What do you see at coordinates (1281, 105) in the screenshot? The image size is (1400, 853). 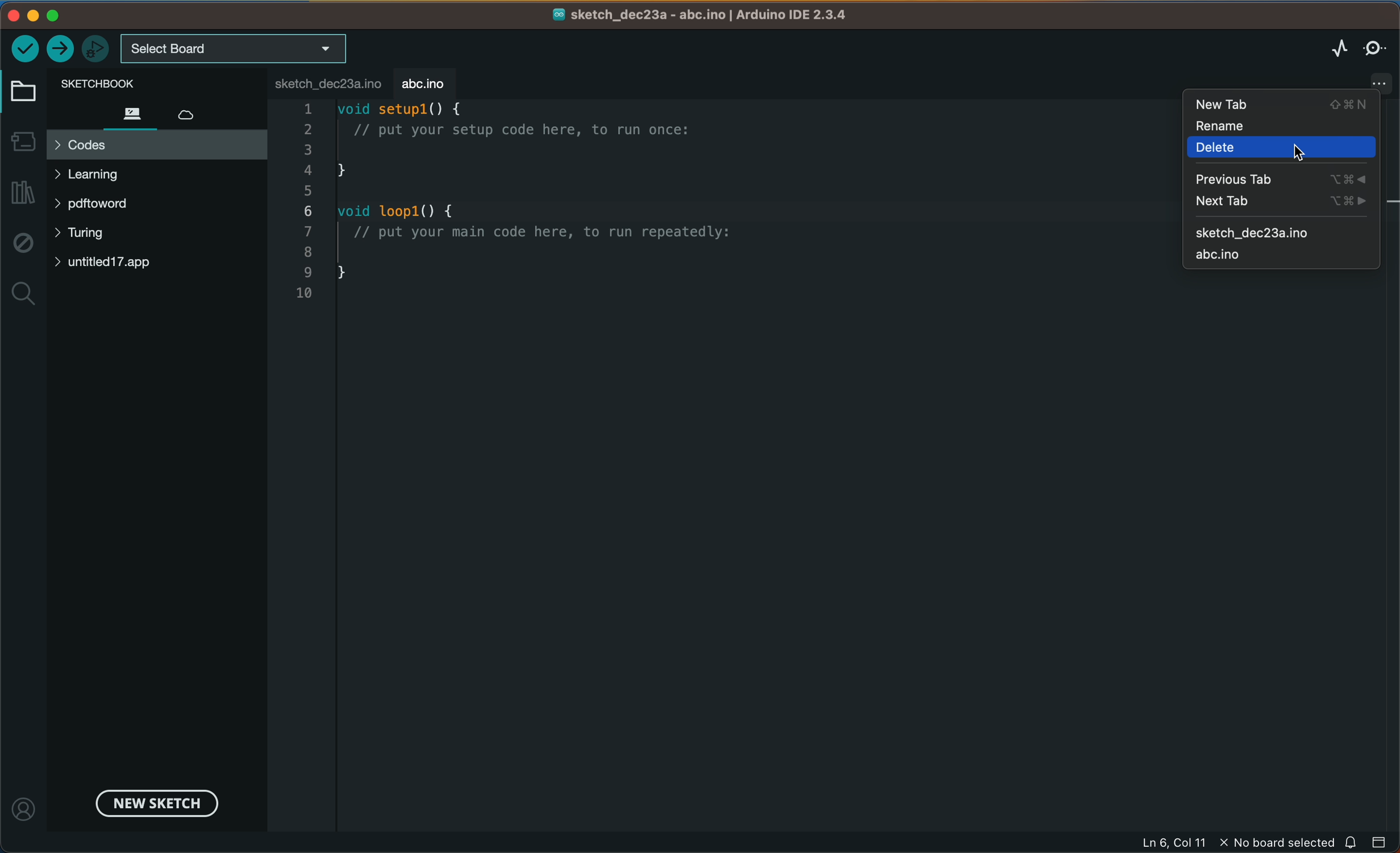 I see `new tab` at bounding box center [1281, 105].